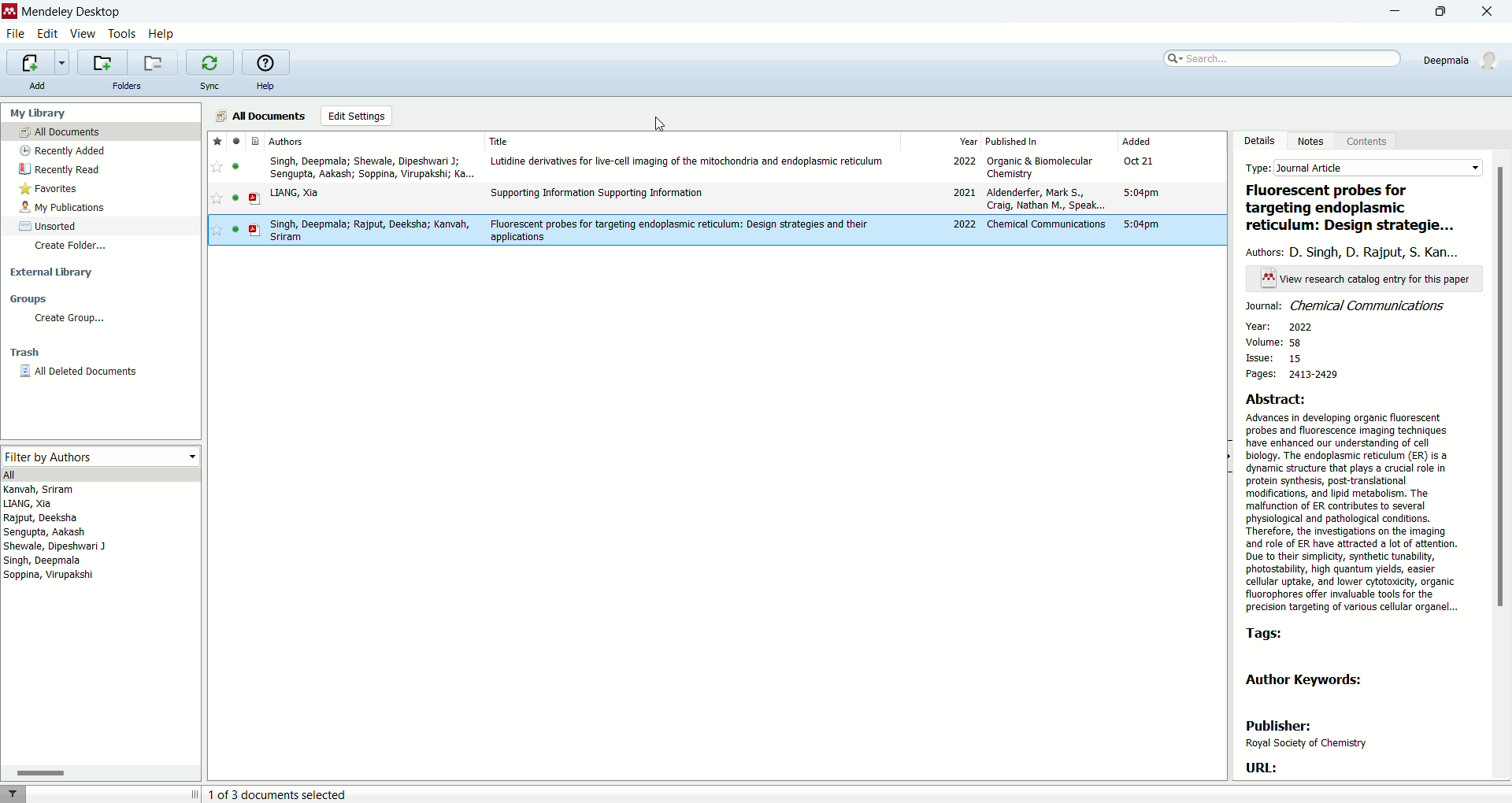 The height and width of the screenshot is (803, 1512). I want to click on remove current folder, so click(155, 63).